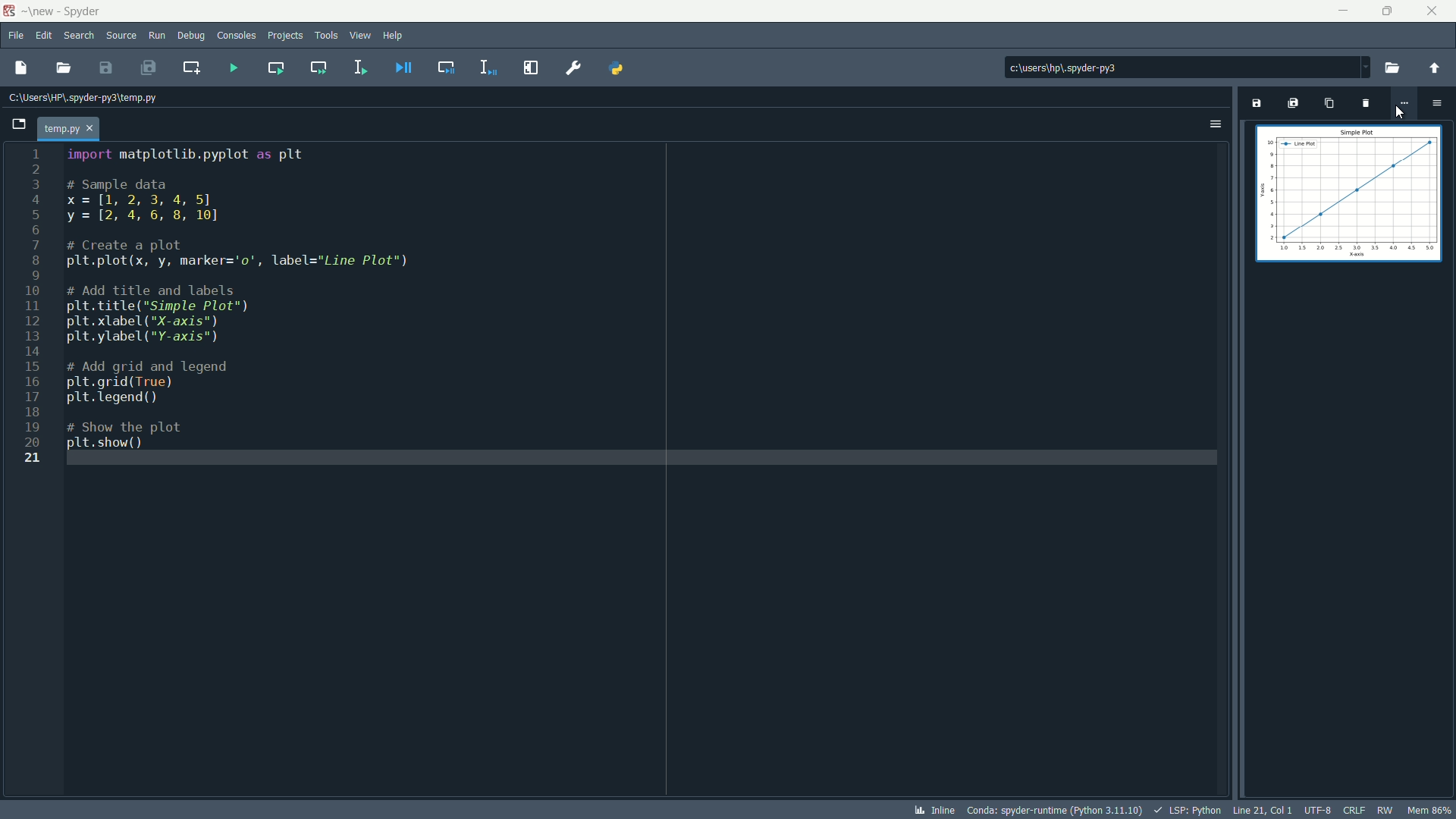 The image size is (1456, 819). I want to click on preferences, so click(573, 67).